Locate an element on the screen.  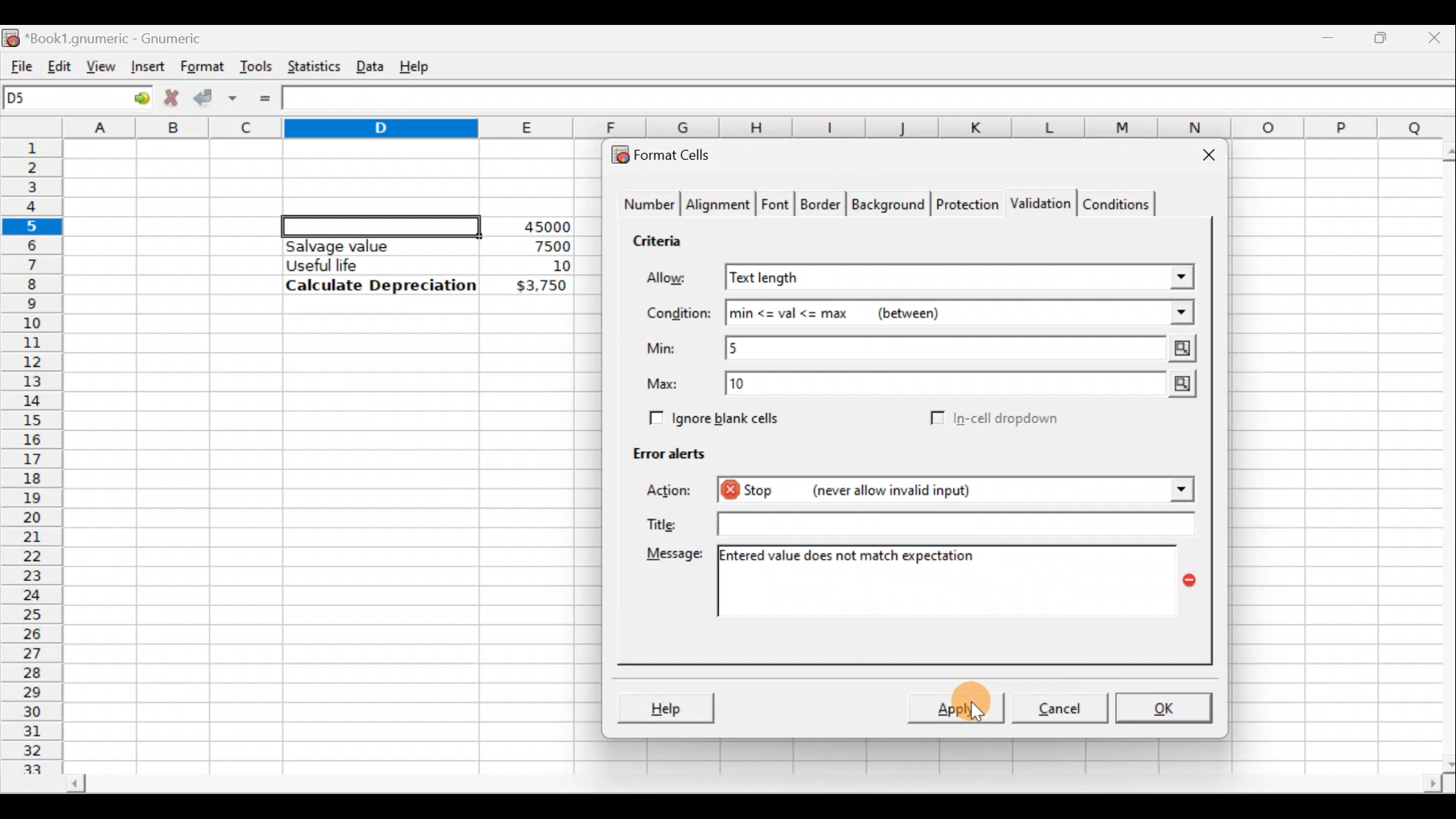
Rows is located at coordinates (33, 448).